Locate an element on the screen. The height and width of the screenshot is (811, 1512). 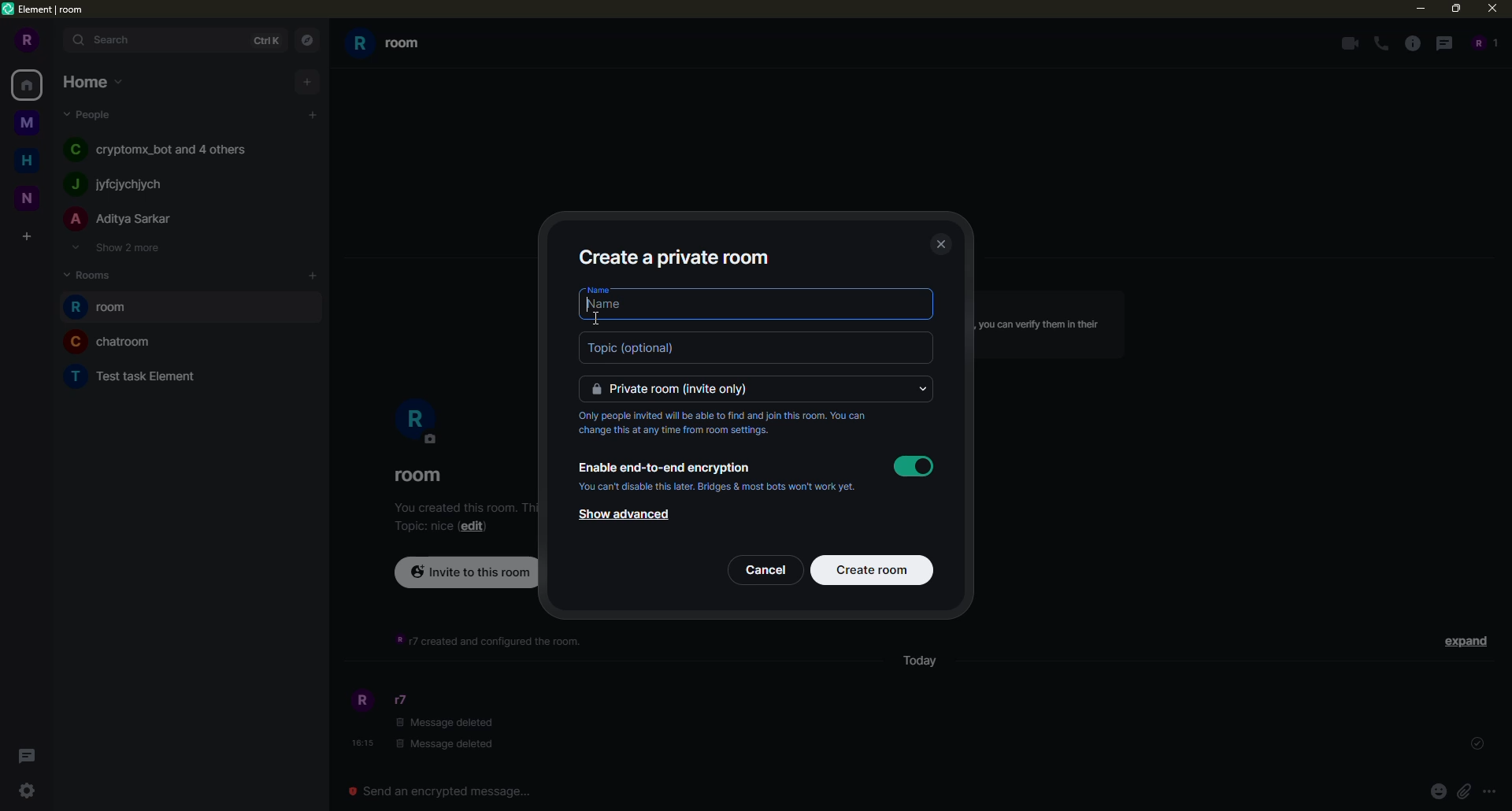
room is located at coordinates (118, 341).